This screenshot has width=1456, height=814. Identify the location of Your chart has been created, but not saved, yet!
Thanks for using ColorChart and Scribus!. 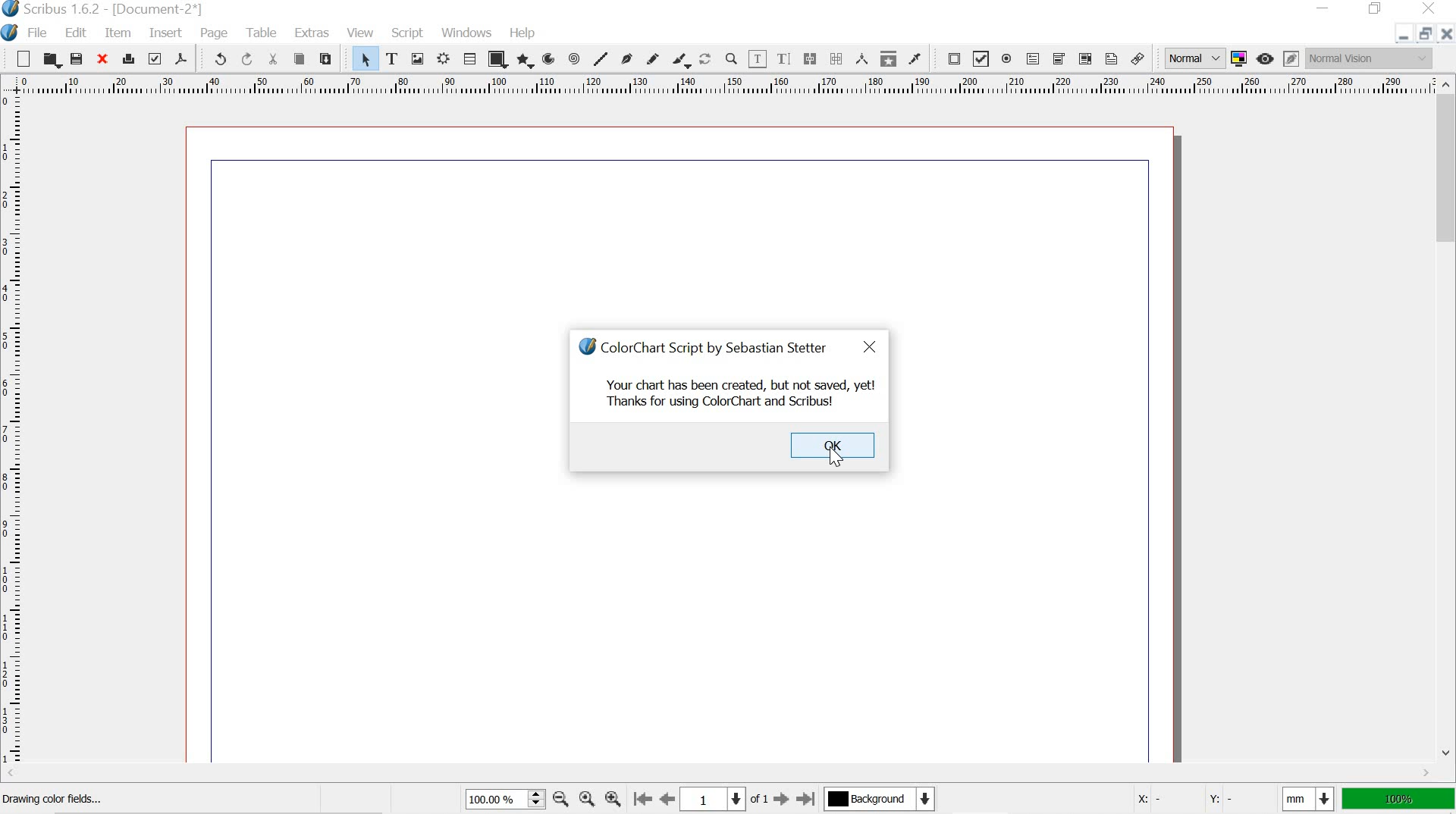
(740, 393).